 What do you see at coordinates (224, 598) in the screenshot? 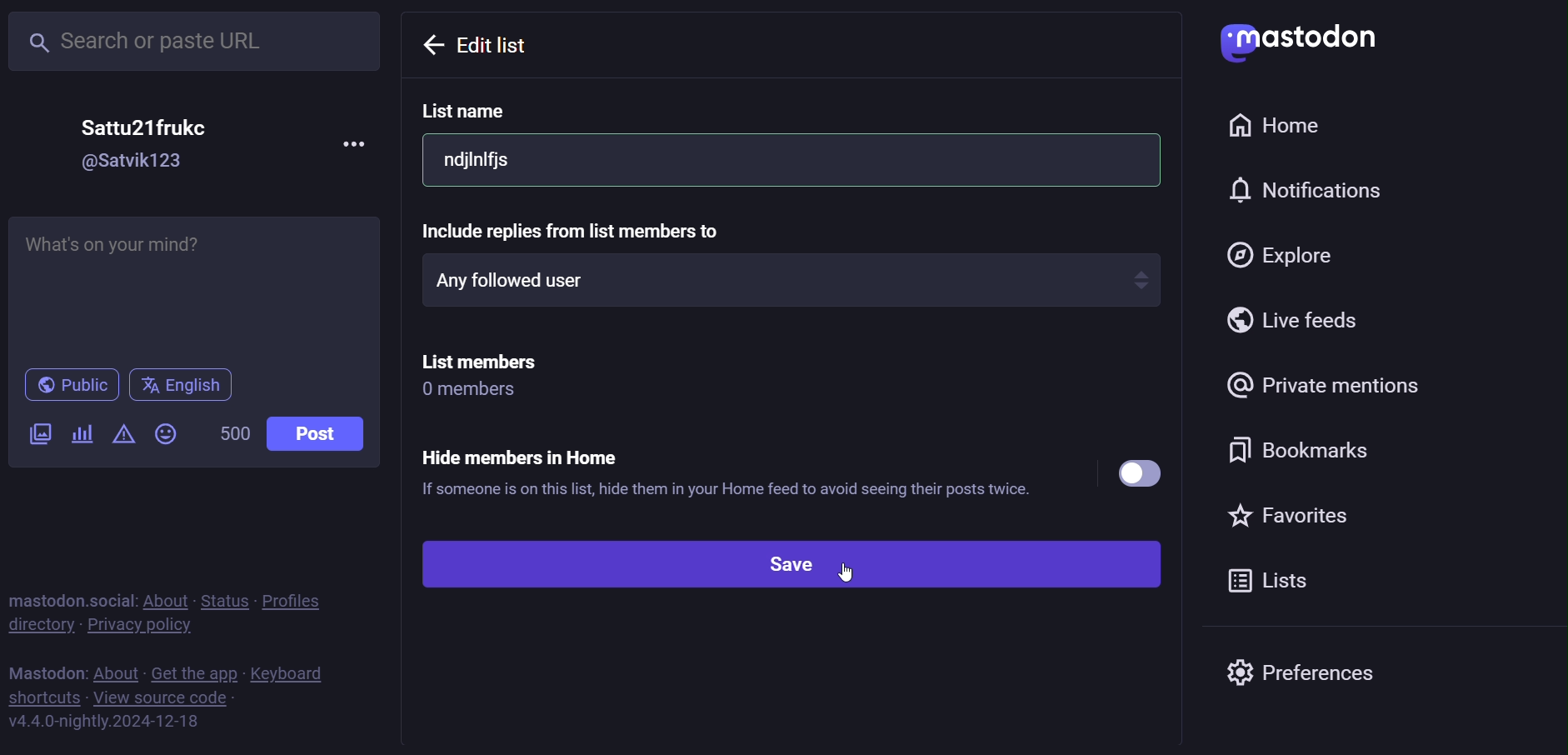
I see `status` at bounding box center [224, 598].